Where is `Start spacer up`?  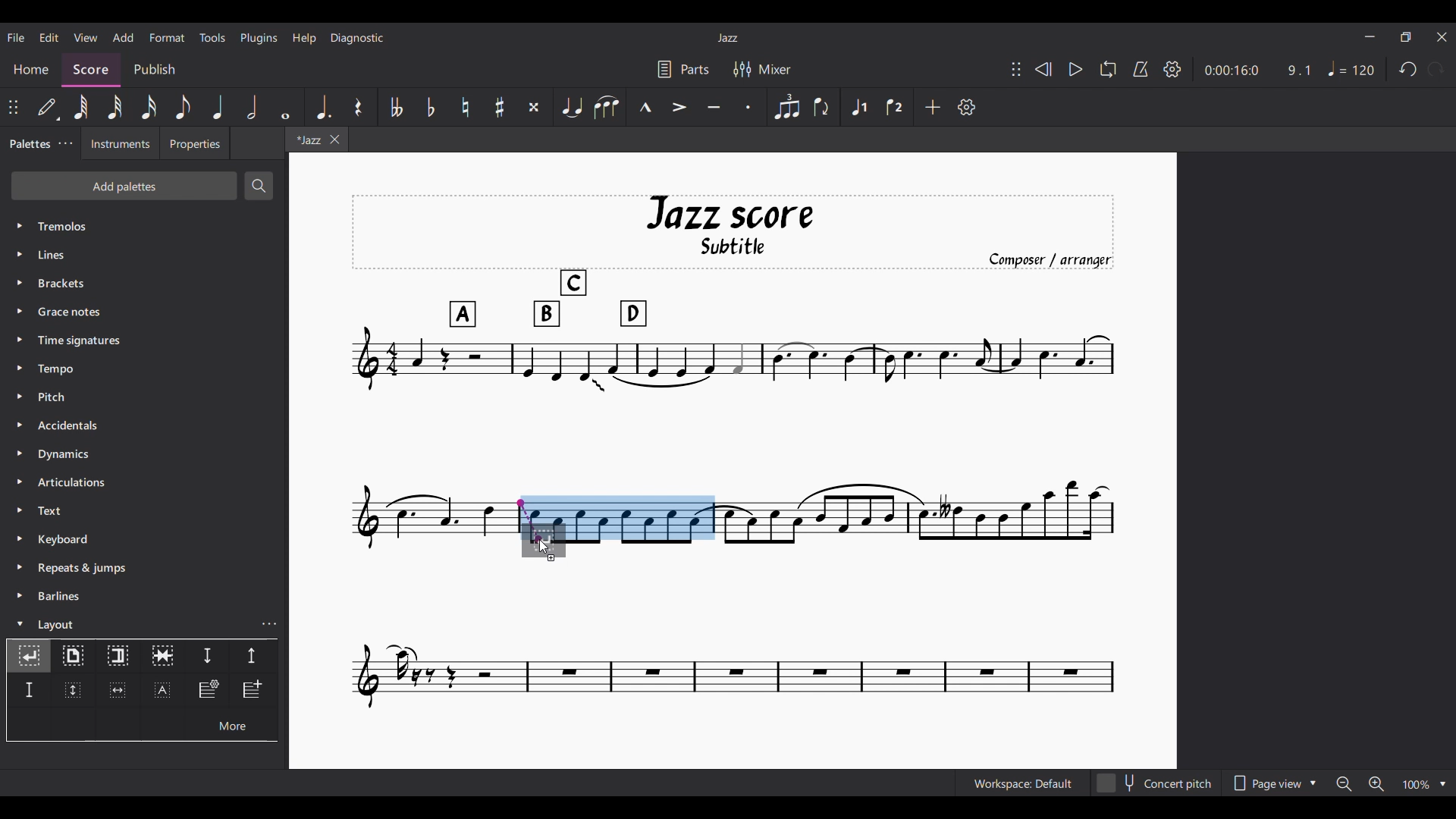
Start spacer up is located at coordinates (253, 657).